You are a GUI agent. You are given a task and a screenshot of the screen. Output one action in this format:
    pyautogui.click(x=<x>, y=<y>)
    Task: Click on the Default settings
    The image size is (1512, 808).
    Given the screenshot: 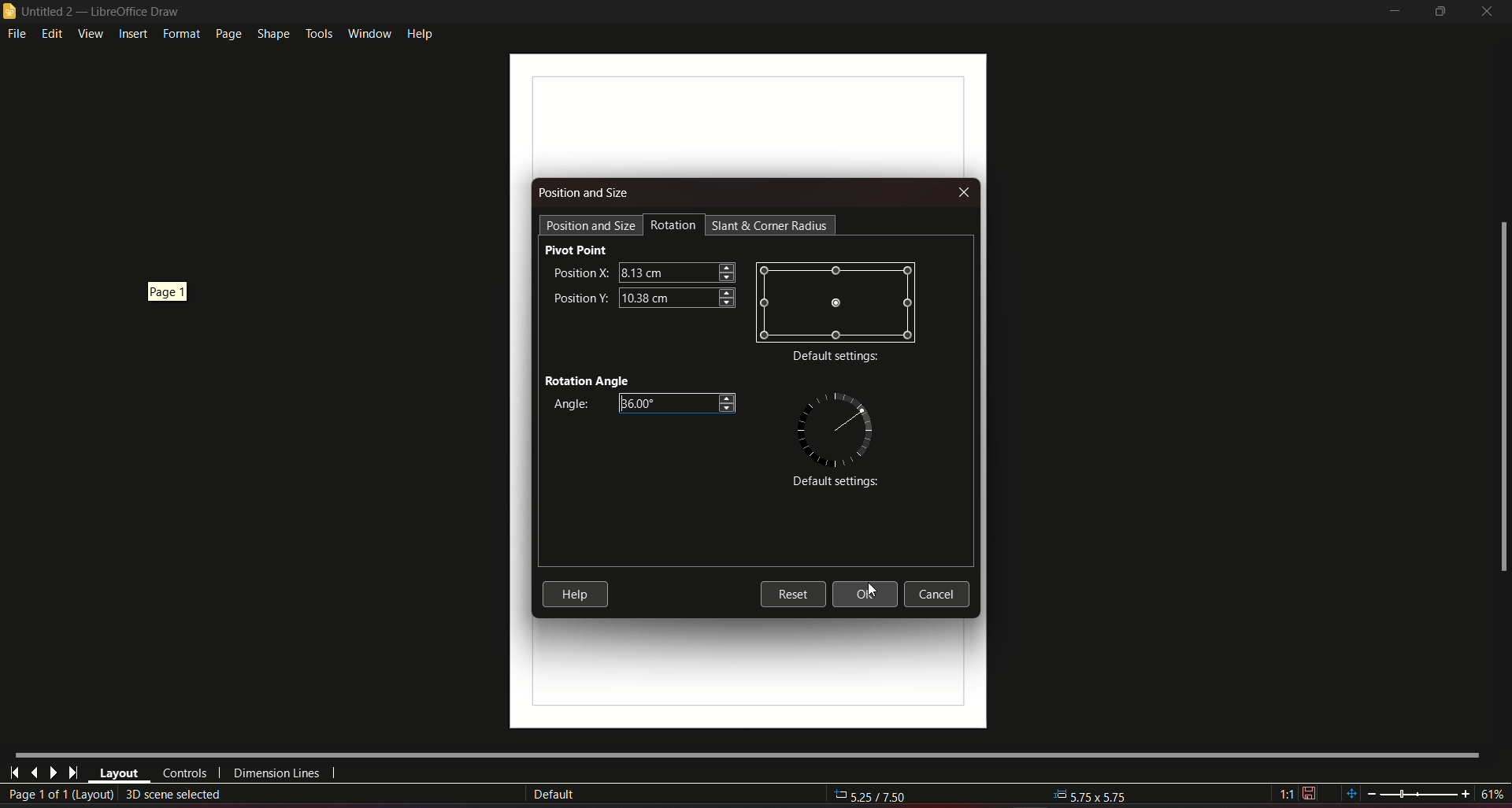 What is the action you would take?
    pyautogui.click(x=836, y=358)
    